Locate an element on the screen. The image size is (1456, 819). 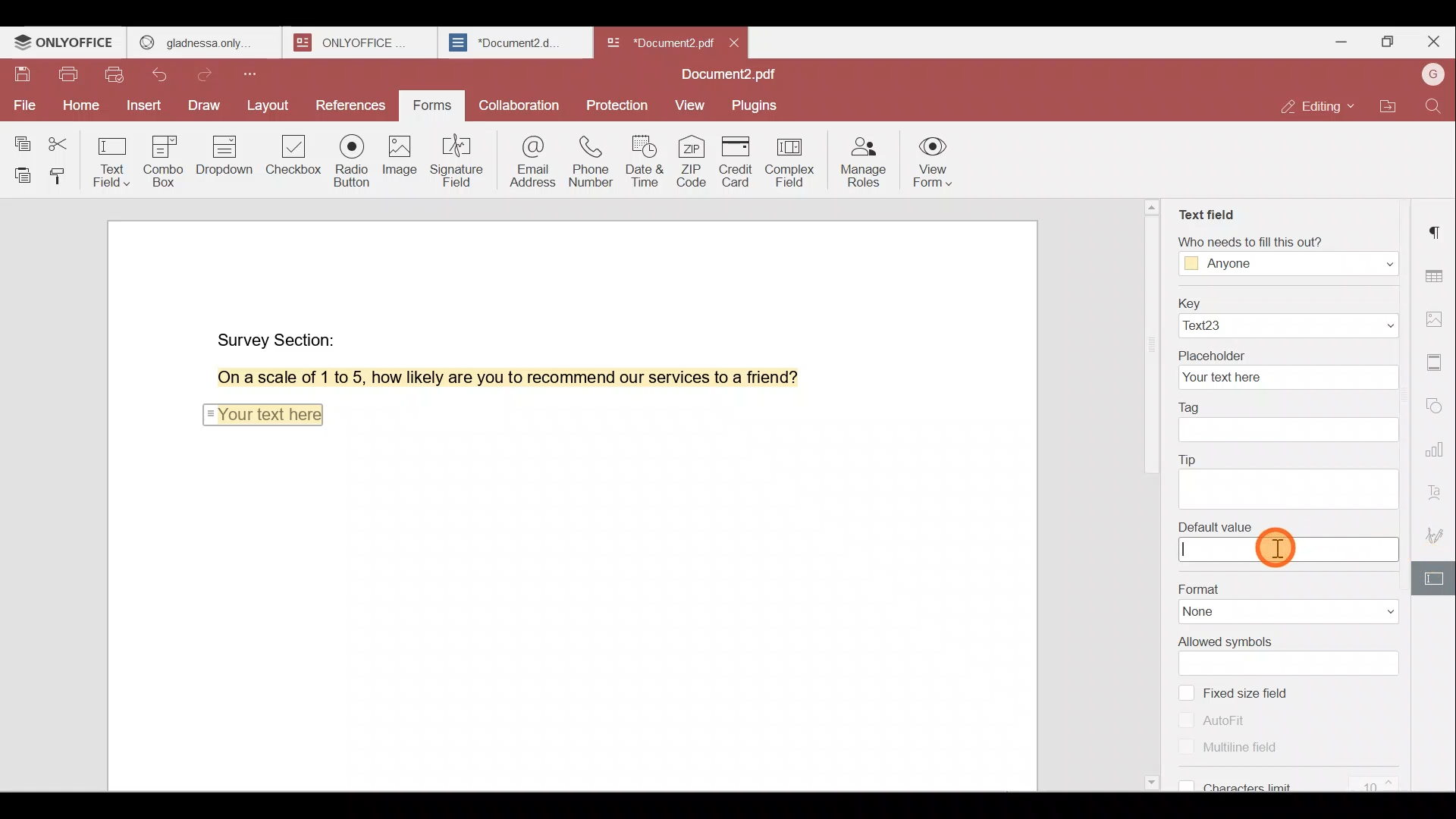
Save is located at coordinates (22, 78).